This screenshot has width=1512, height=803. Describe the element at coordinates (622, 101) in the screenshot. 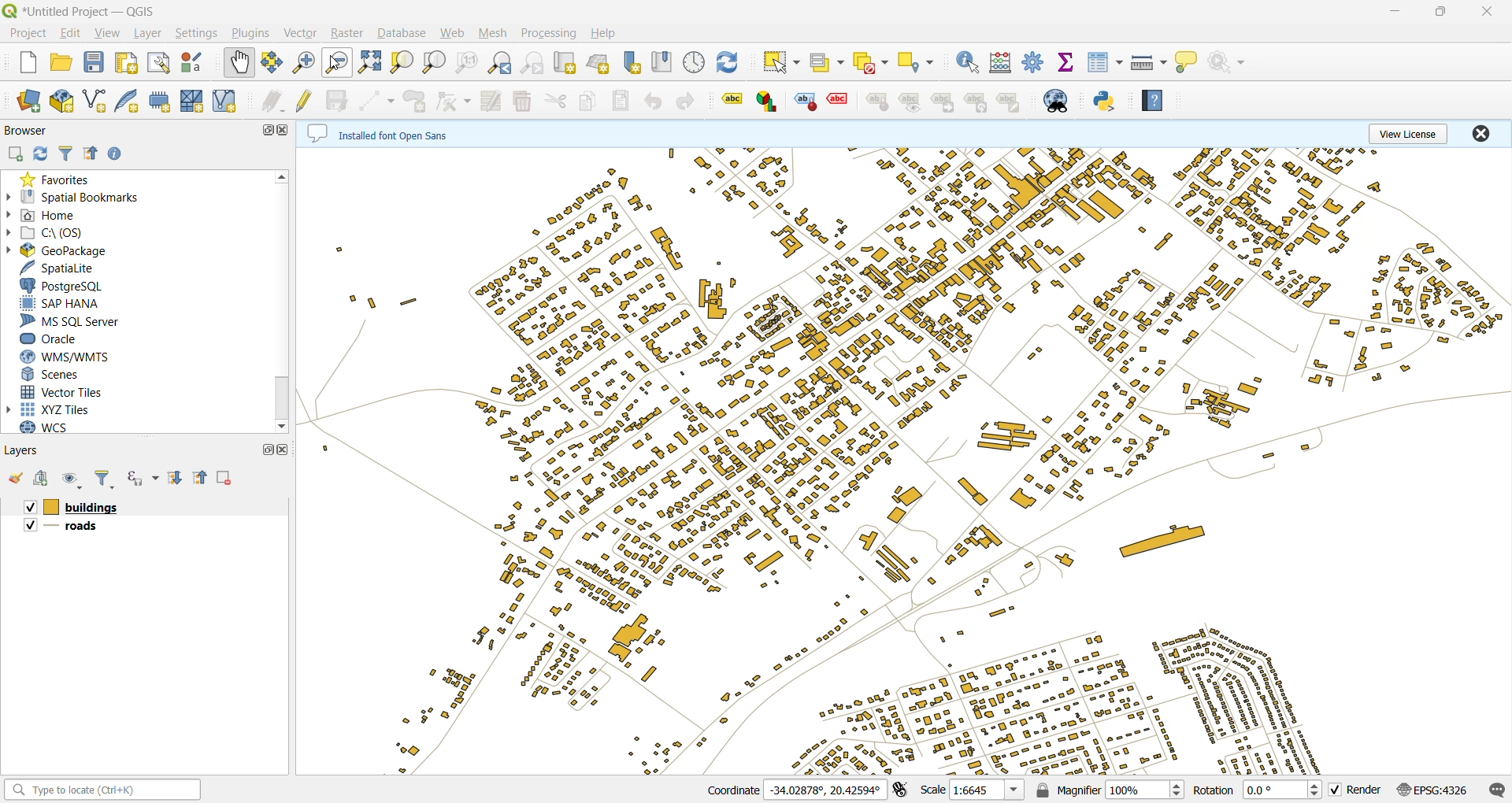

I see `paste` at that location.